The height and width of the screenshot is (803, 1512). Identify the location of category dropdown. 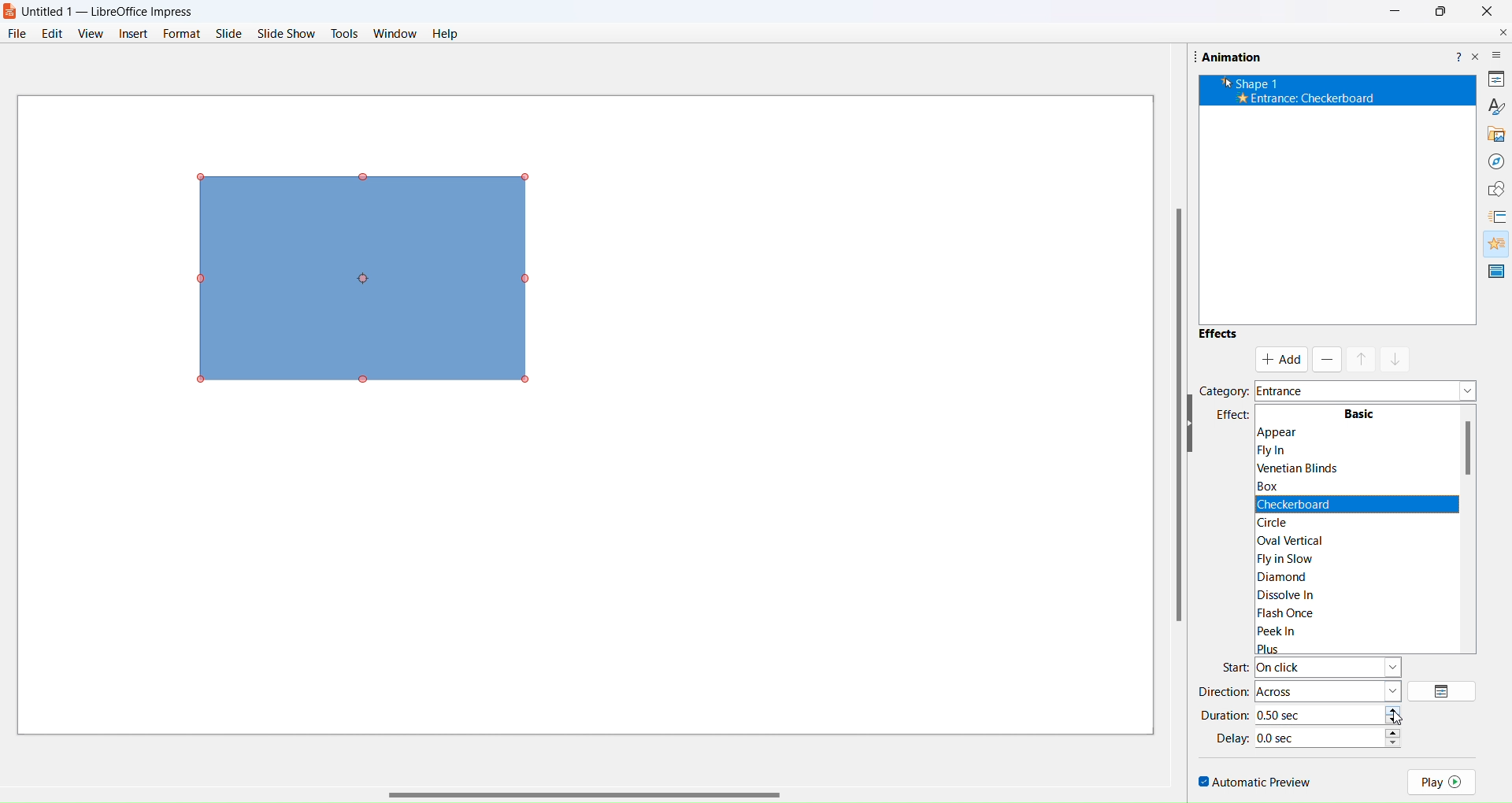
(1367, 392).